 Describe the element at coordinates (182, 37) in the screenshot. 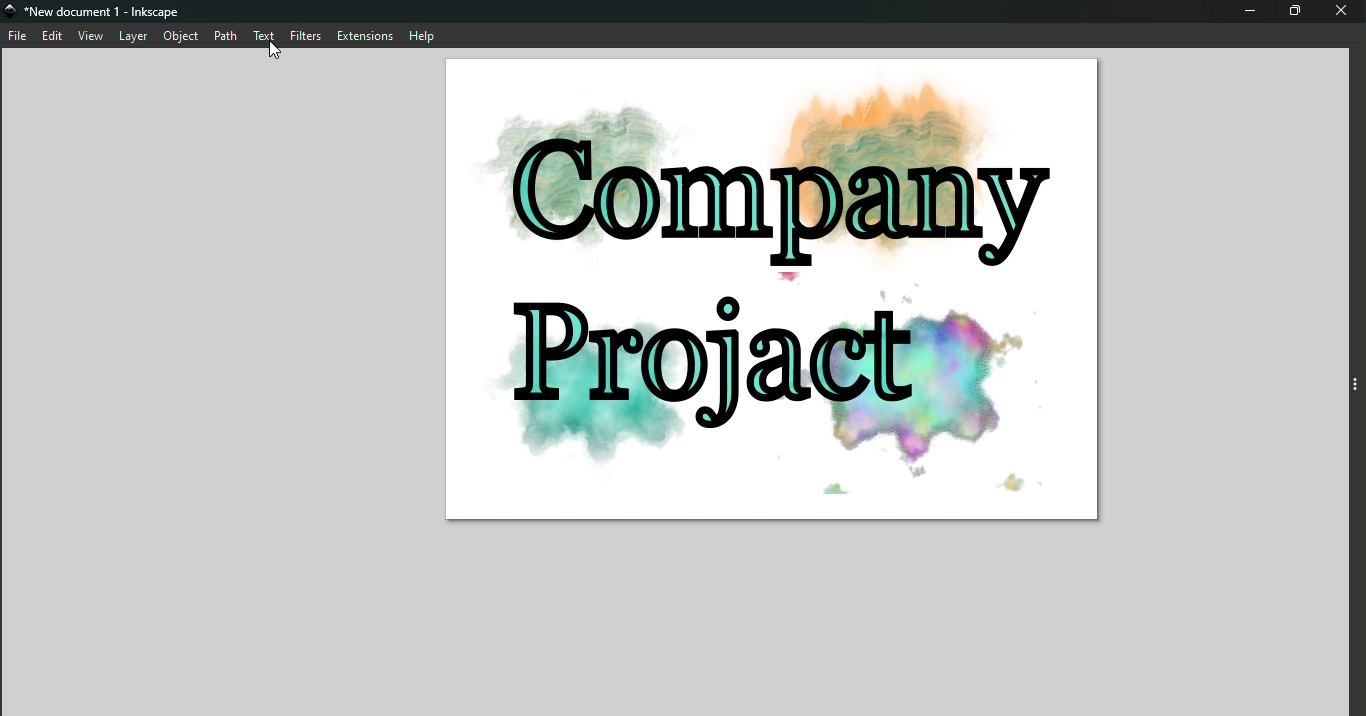

I see `object` at that location.